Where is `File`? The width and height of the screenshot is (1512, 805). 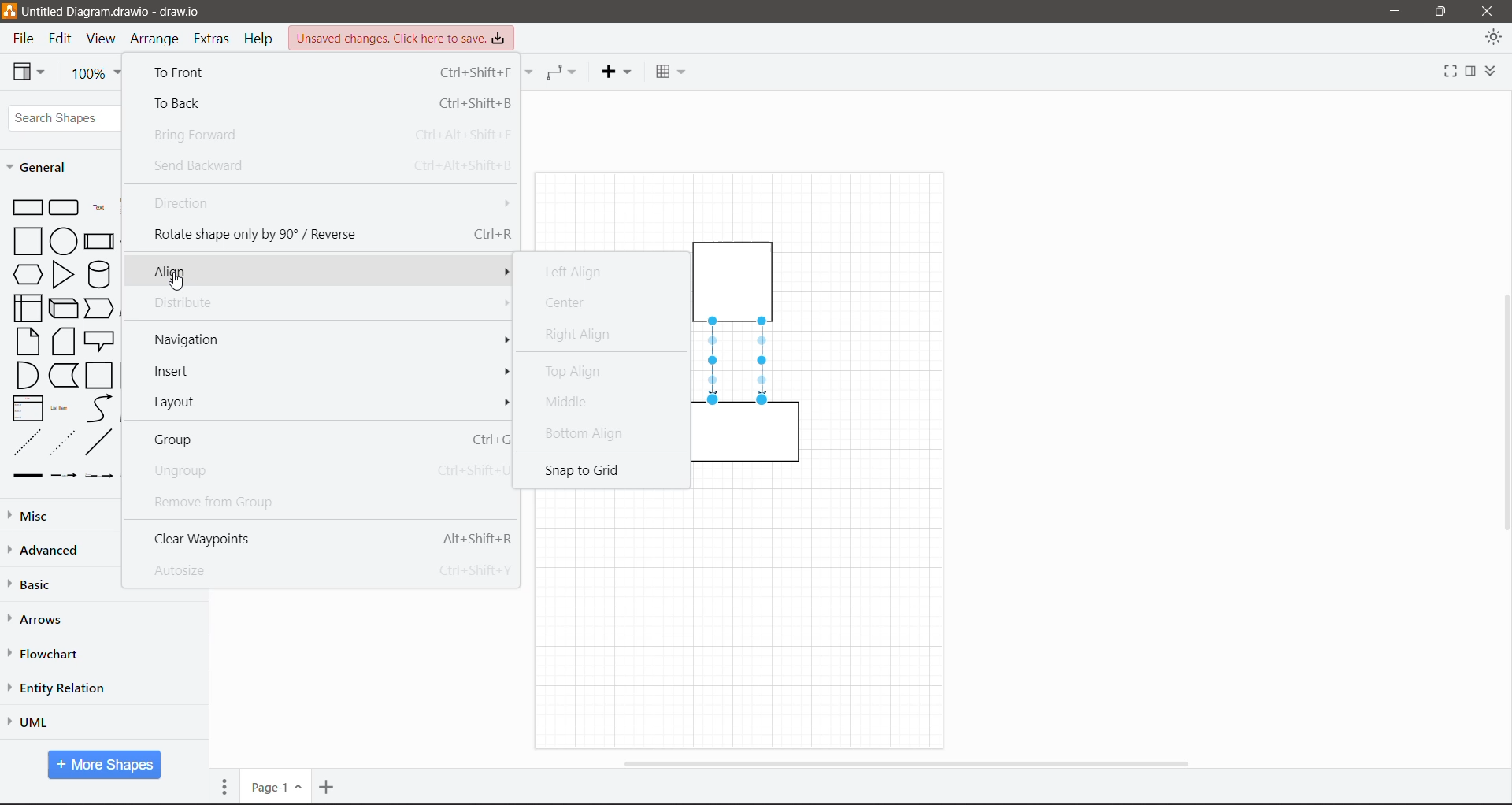 File is located at coordinates (22, 39).